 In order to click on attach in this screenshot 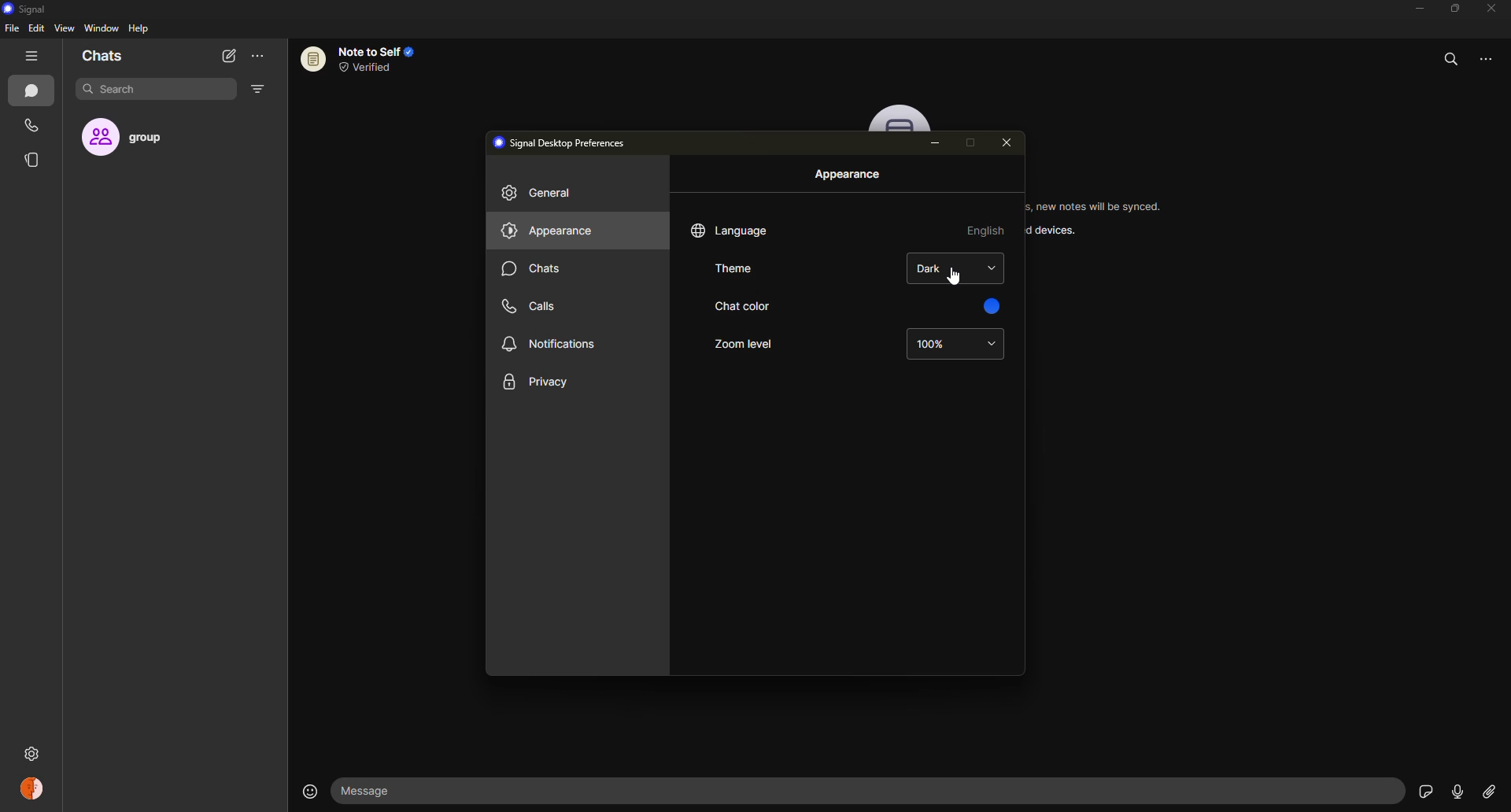, I will do `click(1487, 791)`.